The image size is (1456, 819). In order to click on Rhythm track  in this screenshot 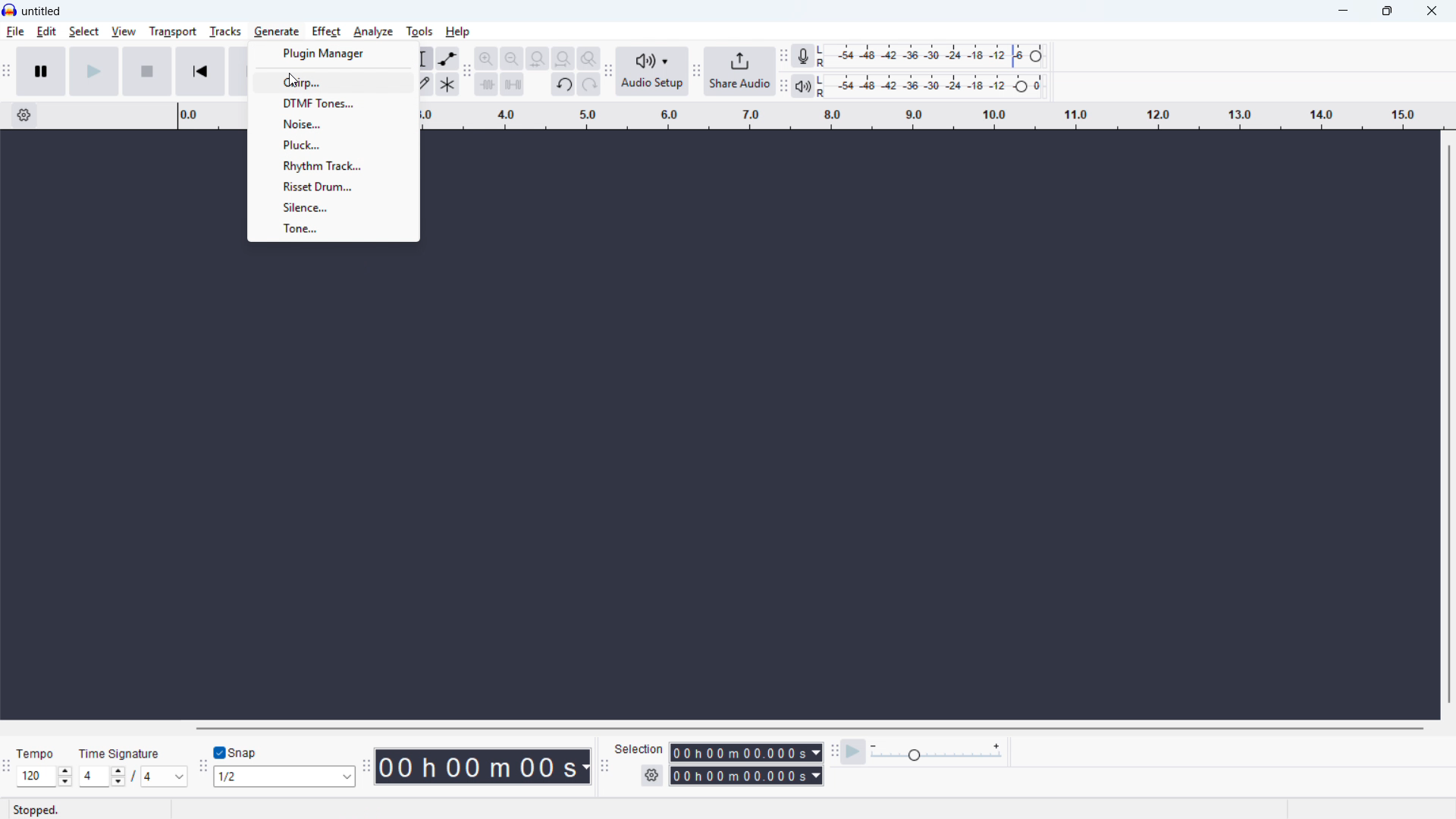, I will do `click(332, 165)`.